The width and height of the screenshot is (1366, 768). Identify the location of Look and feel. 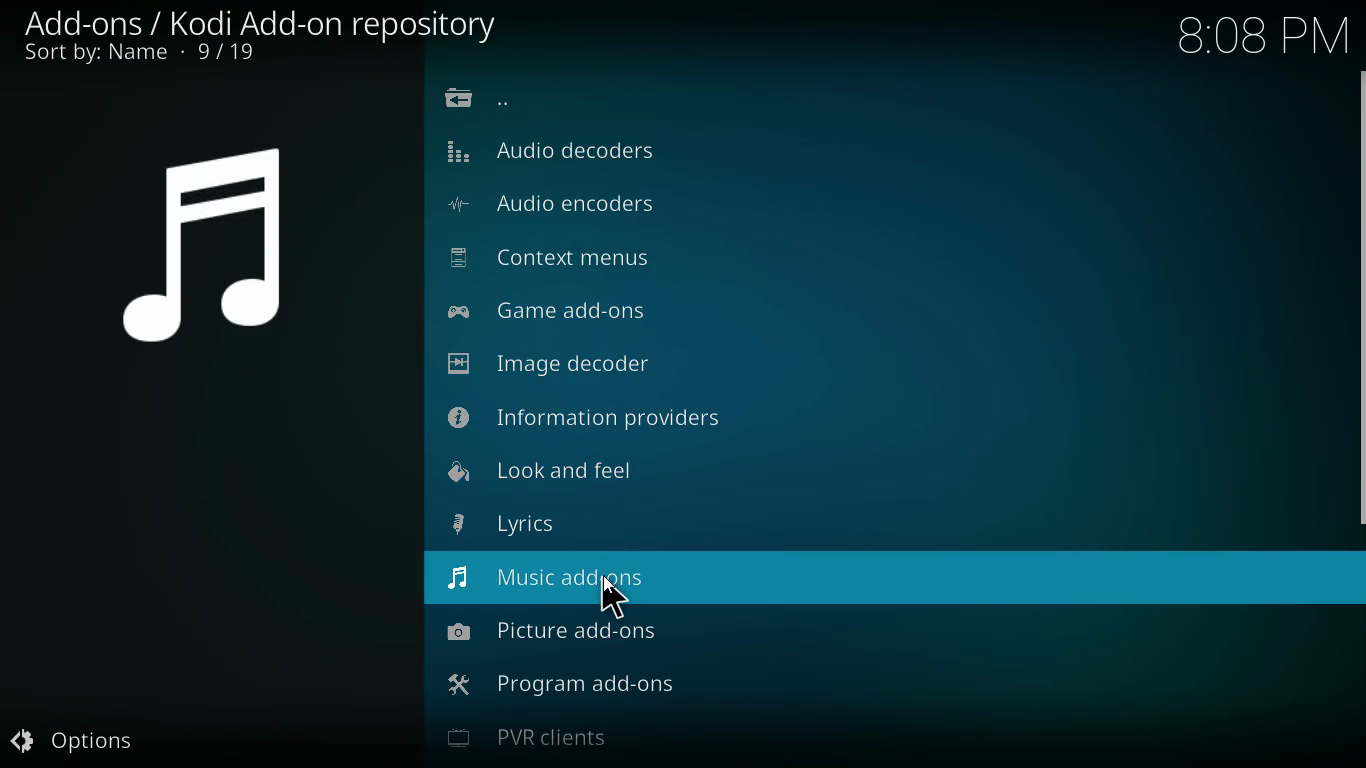
(560, 470).